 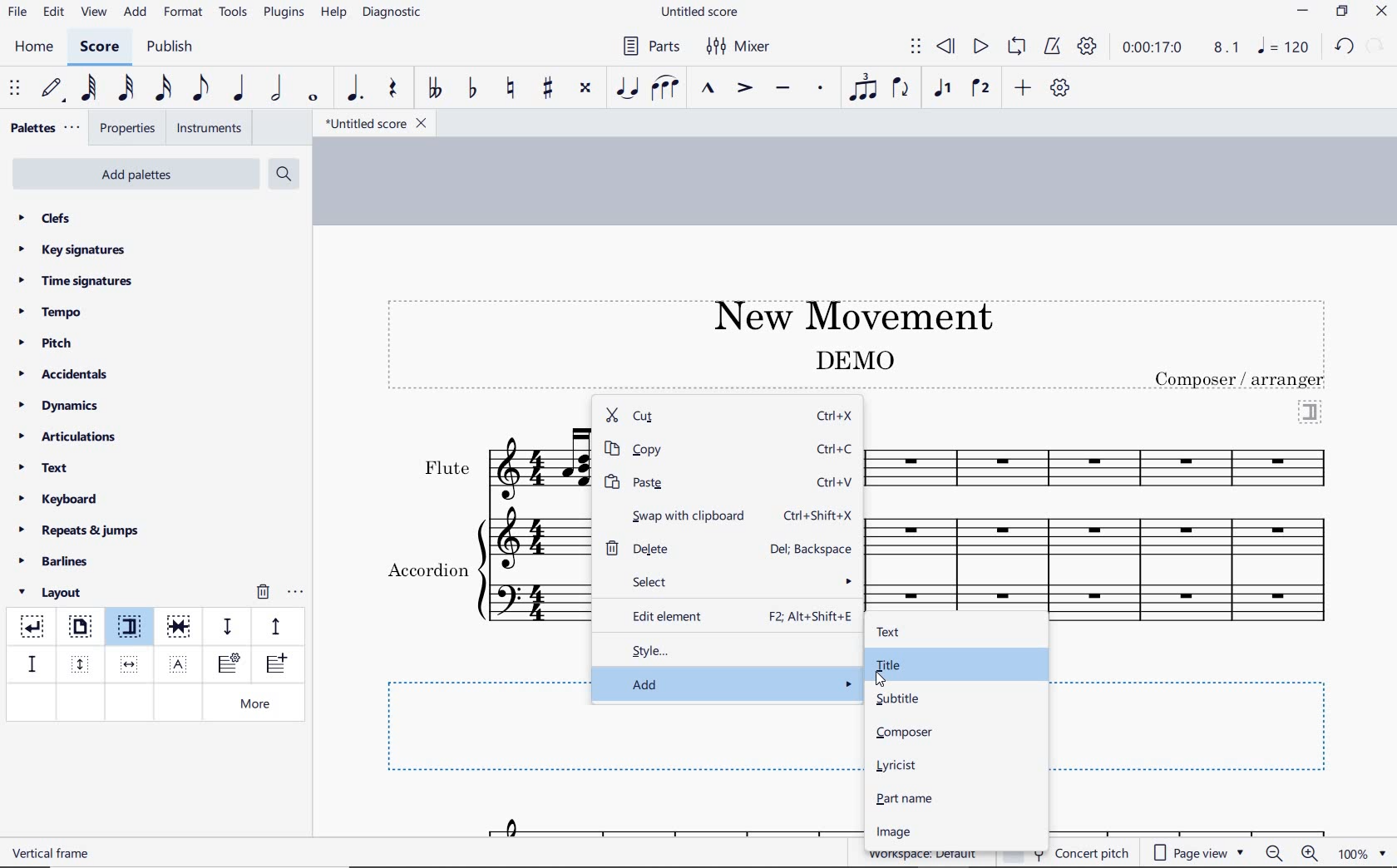 What do you see at coordinates (845, 313) in the screenshot?
I see `title` at bounding box center [845, 313].